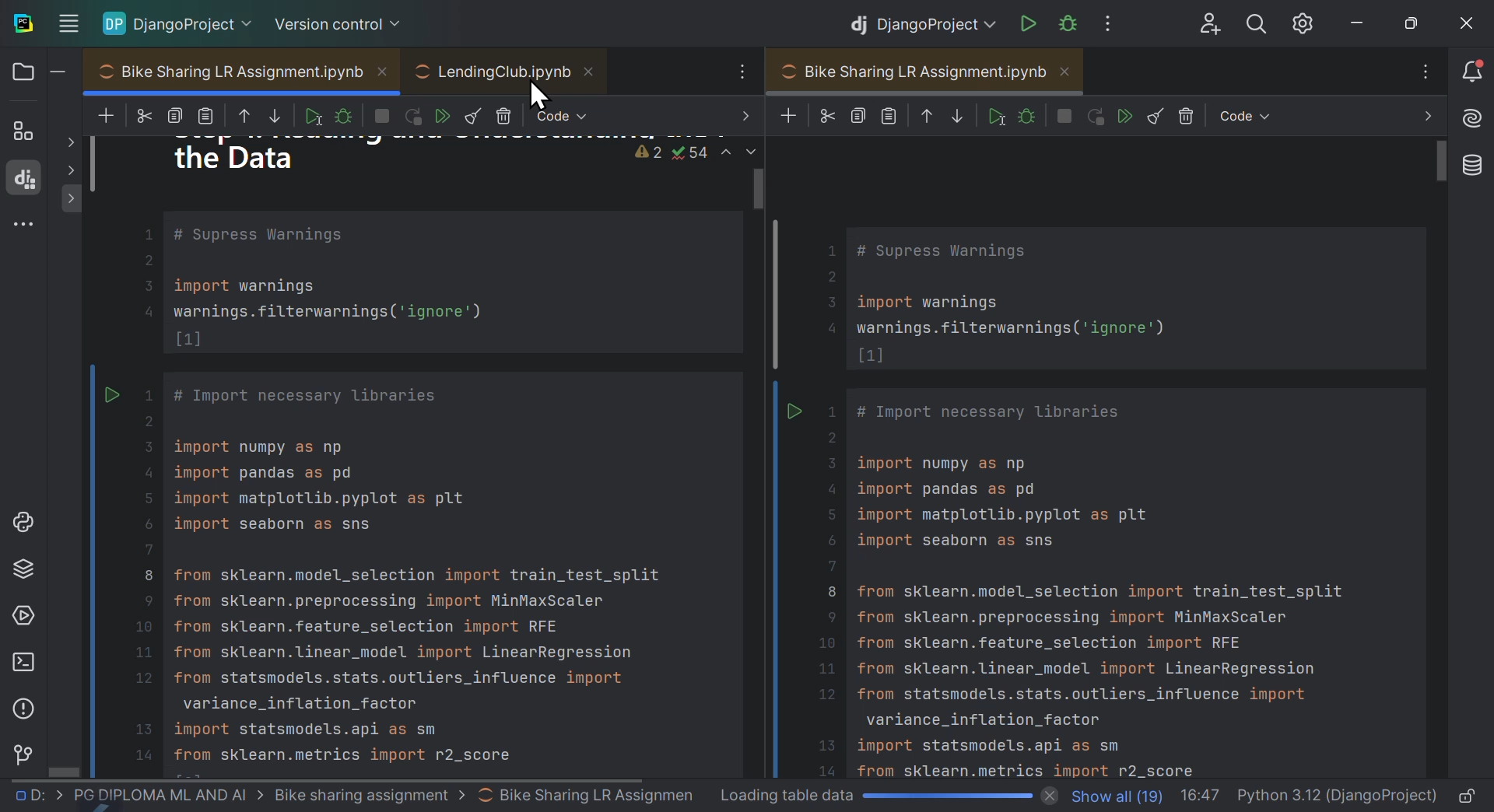 This screenshot has width=1494, height=812. Describe the element at coordinates (1244, 116) in the screenshot. I see `code` at that location.